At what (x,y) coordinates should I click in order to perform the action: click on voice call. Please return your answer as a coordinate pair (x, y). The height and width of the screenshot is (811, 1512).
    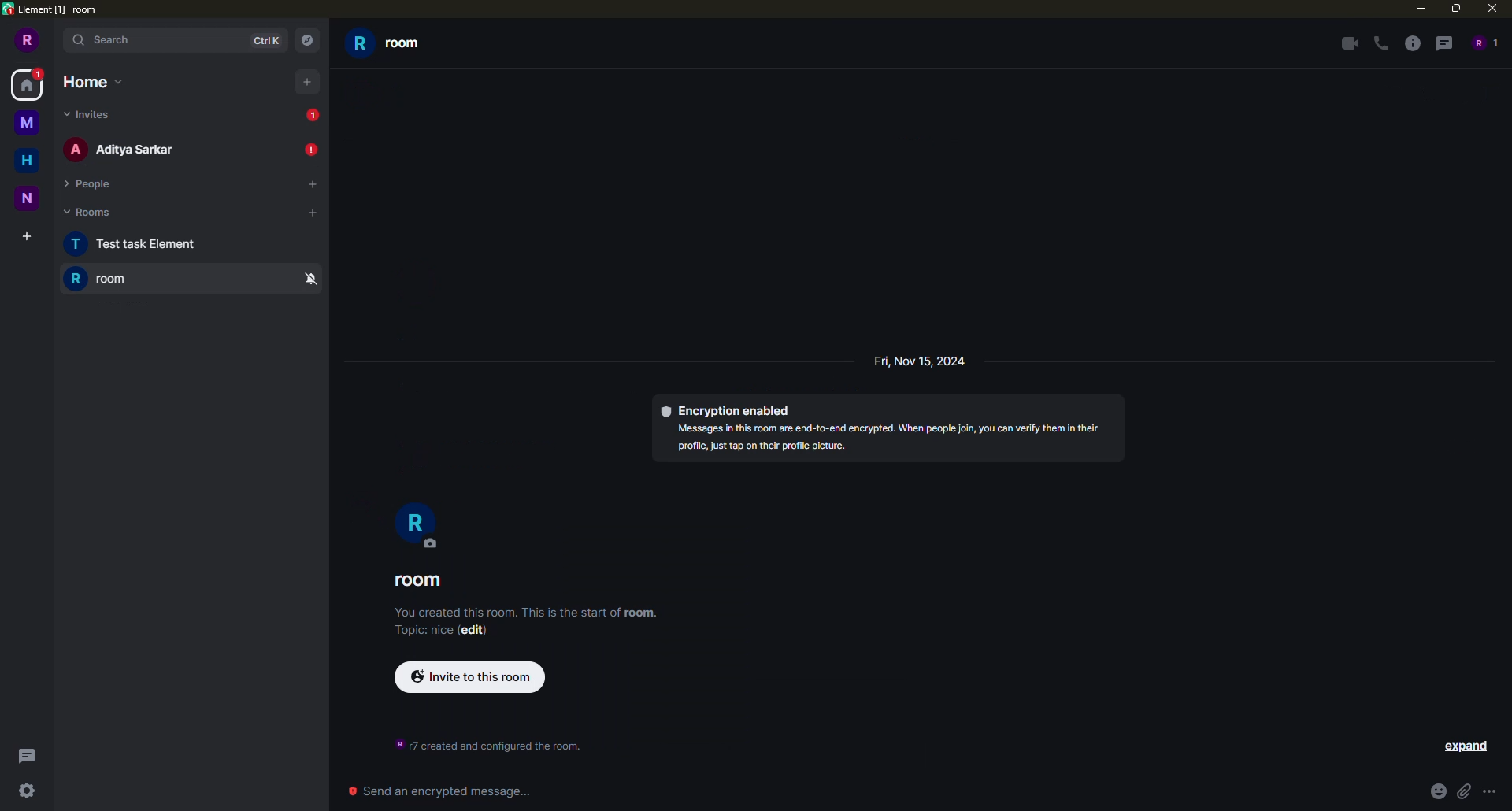
    Looking at the image, I should click on (1384, 44).